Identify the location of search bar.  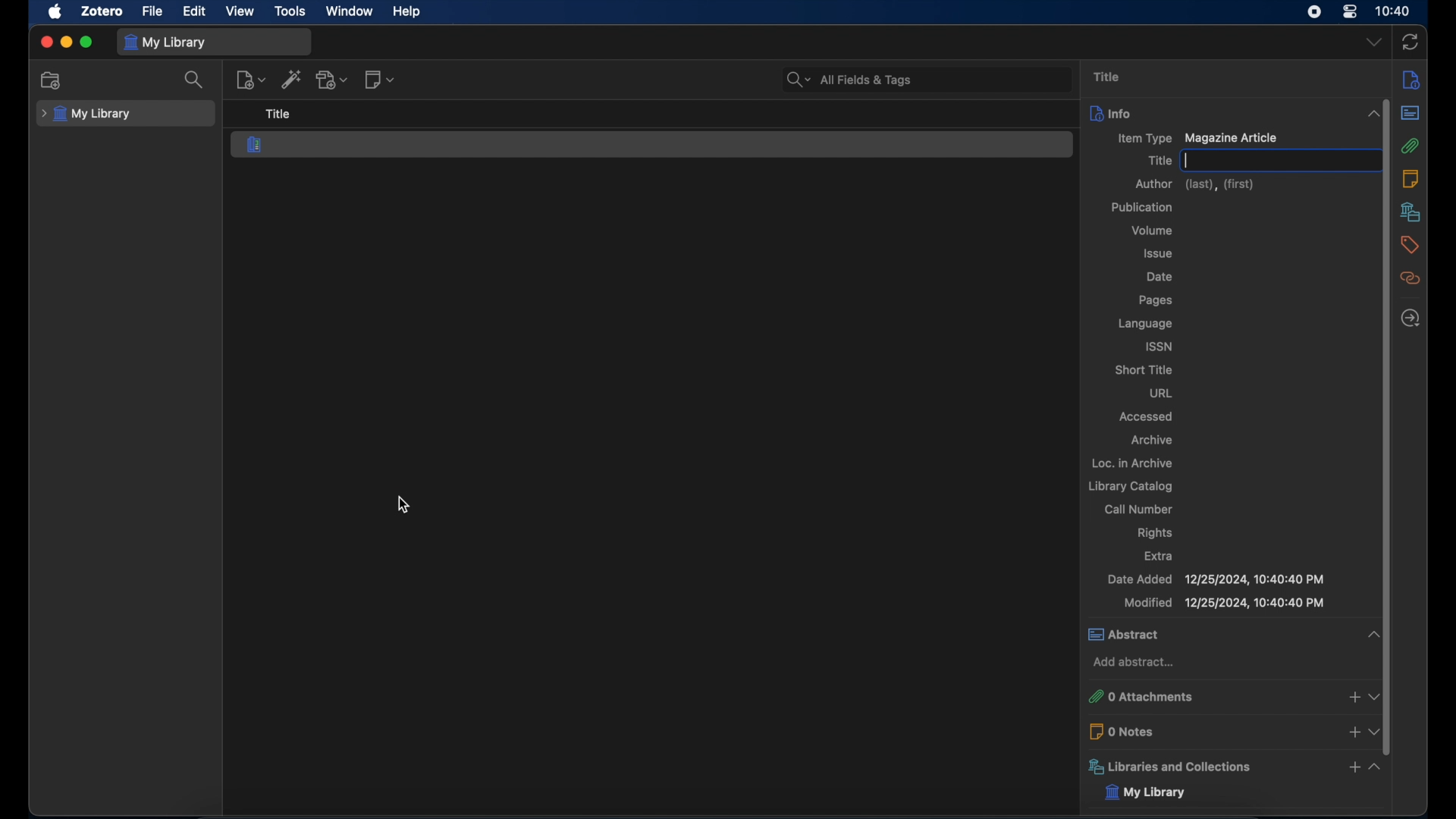
(849, 80).